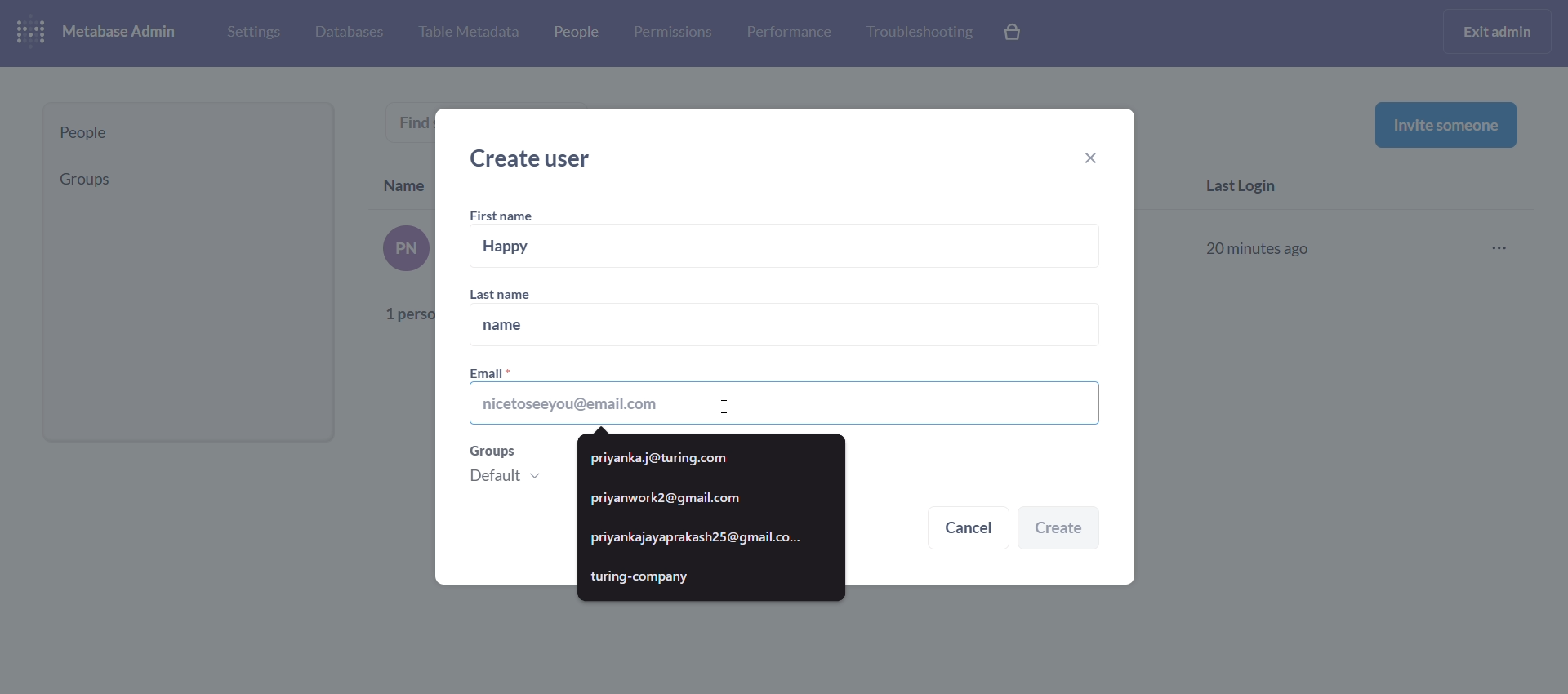 Image resolution: width=1568 pixels, height=694 pixels. Describe the element at coordinates (1504, 249) in the screenshot. I see `more` at that location.